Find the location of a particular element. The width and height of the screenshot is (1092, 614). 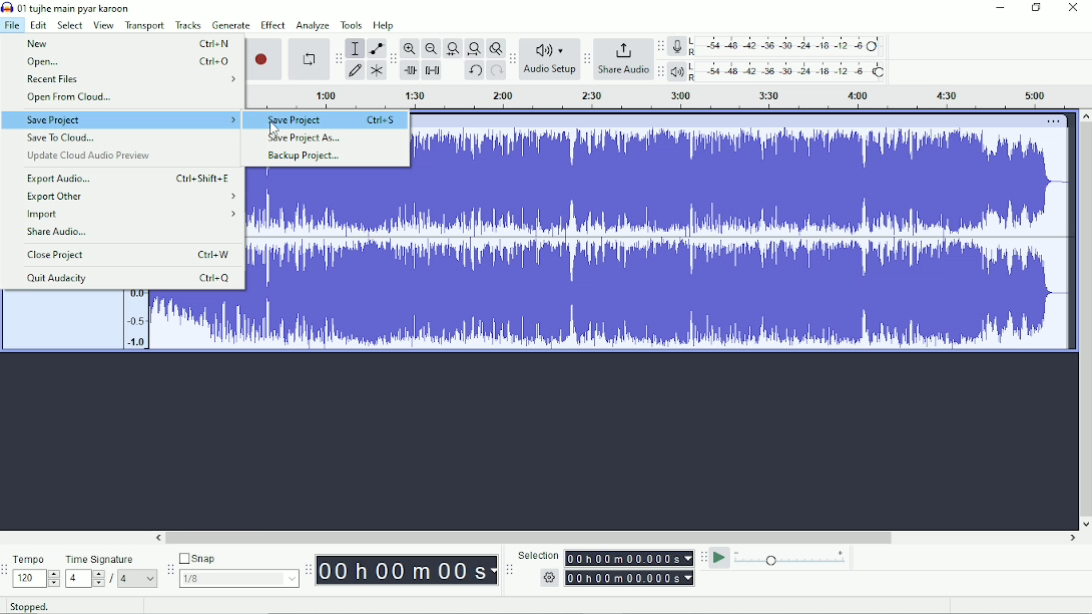

Audio is located at coordinates (327, 258).